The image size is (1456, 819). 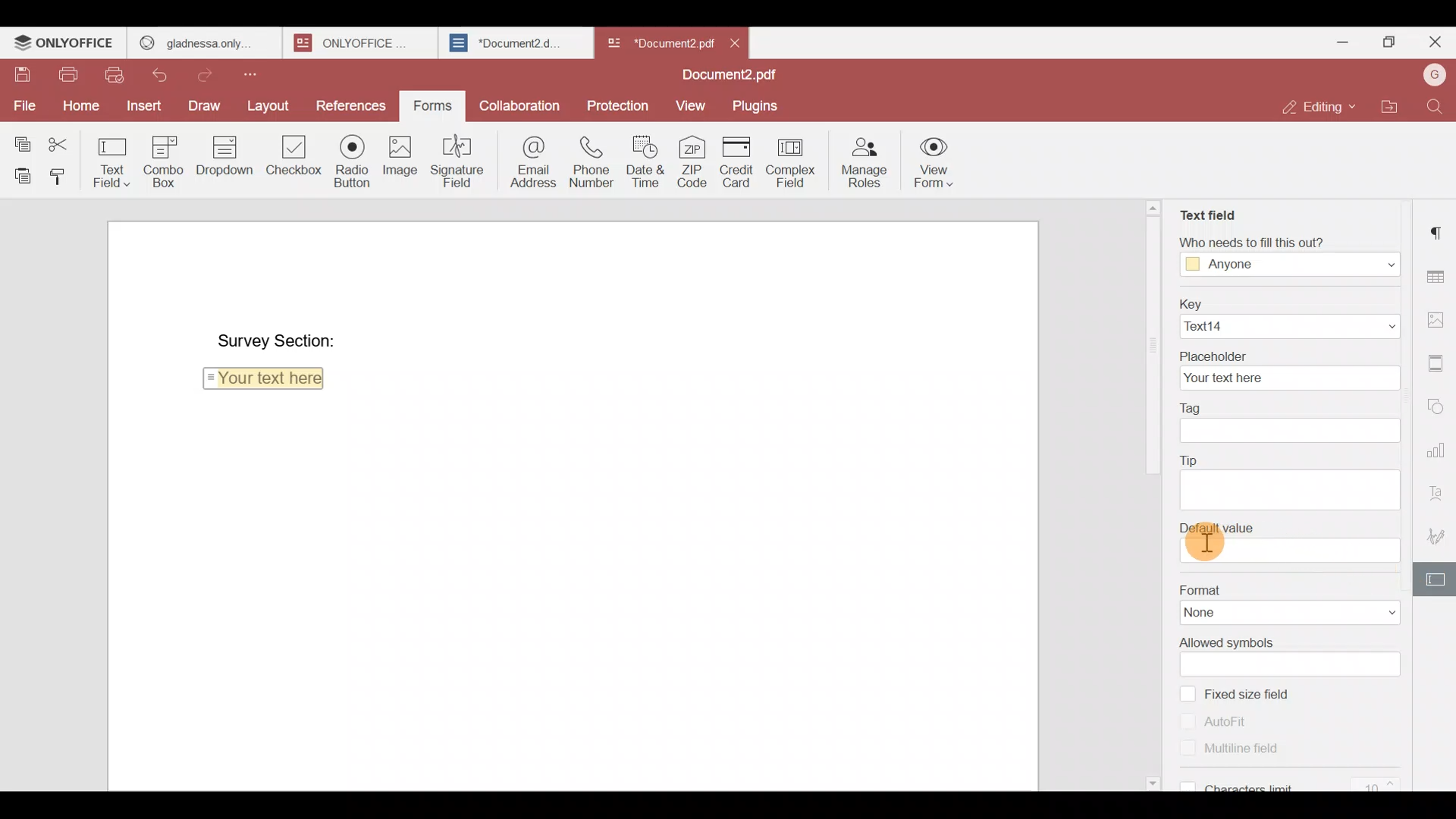 What do you see at coordinates (796, 160) in the screenshot?
I see `Complex field` at bounding box center [796, 160].